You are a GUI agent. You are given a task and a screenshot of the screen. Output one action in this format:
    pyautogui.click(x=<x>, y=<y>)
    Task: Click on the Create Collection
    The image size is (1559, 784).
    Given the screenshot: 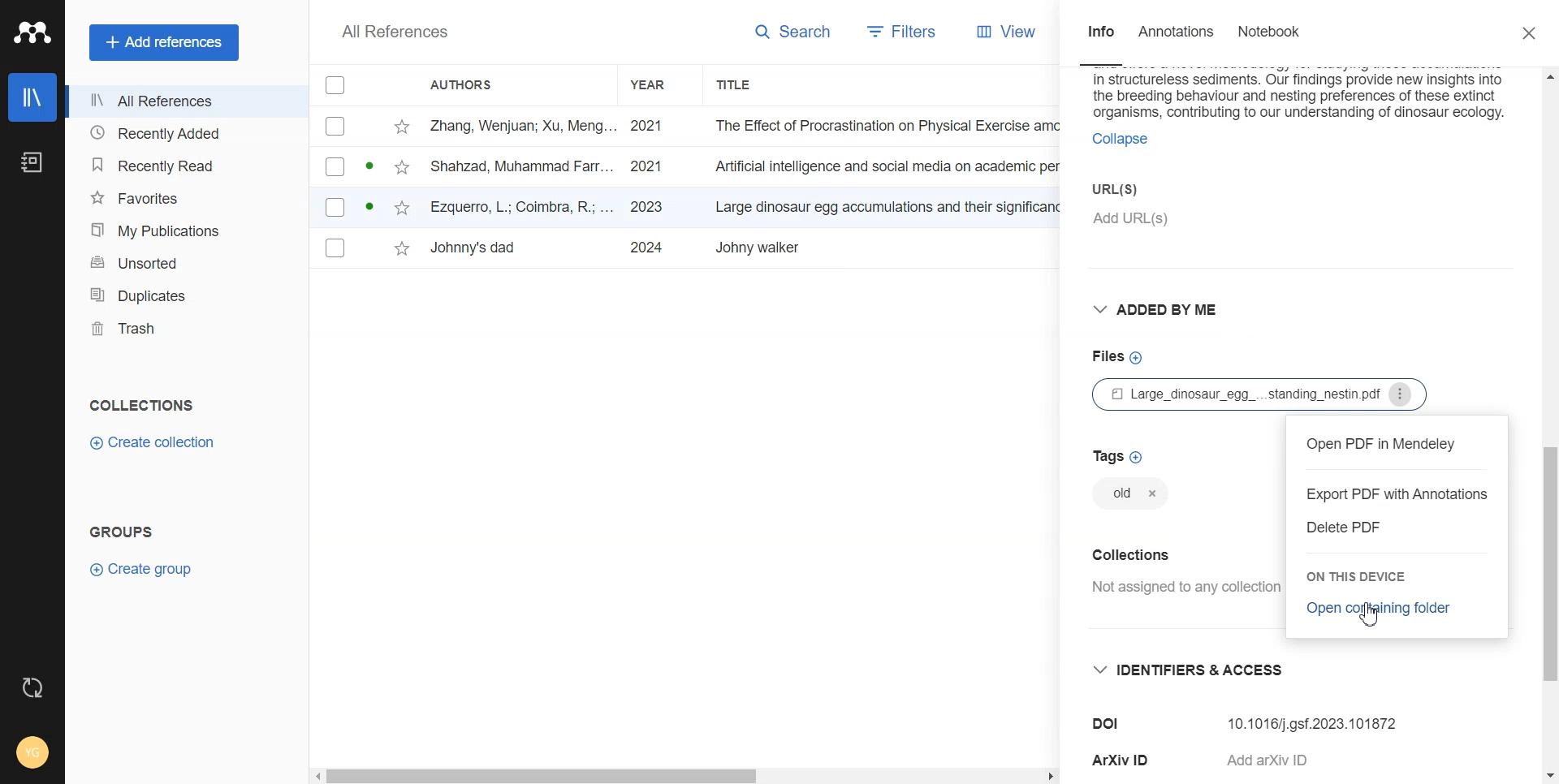 What is the action you would take?
    pyautogui.click(x=154, y=442)
    